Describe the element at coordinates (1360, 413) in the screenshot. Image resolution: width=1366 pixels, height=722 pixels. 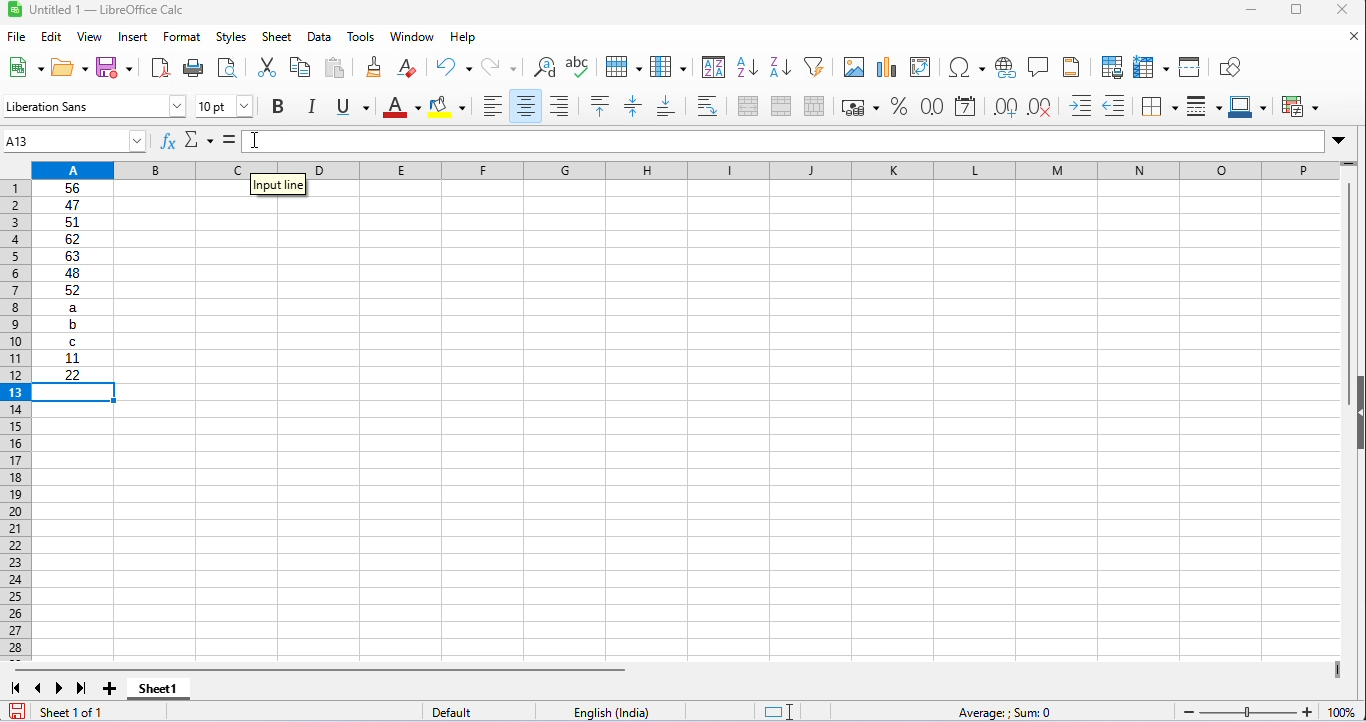
I see `Collapse/Expand` at that location.